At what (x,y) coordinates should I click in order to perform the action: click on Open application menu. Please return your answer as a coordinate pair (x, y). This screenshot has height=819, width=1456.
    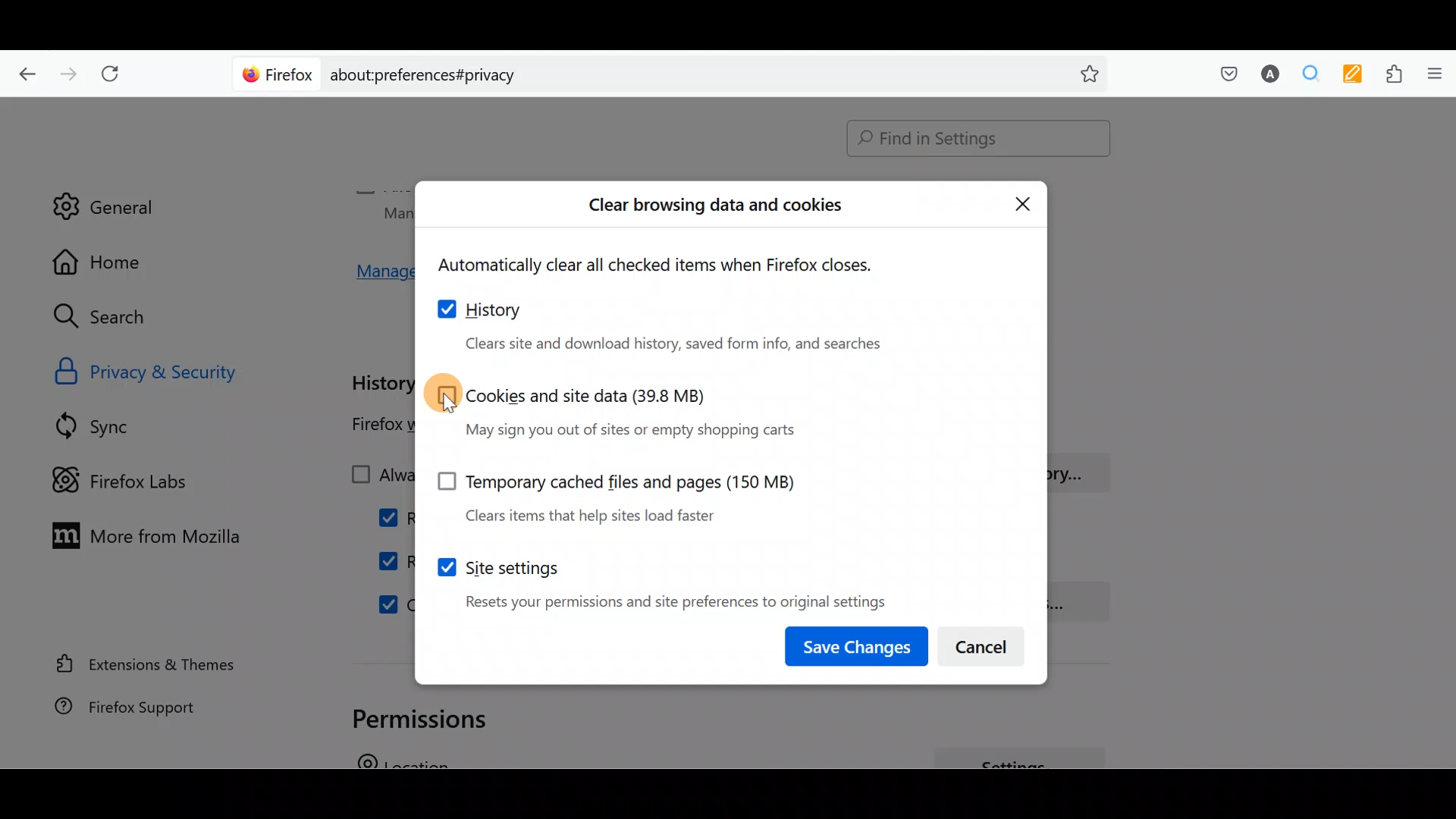
    Looking at the image, I should click on (1433, 75).